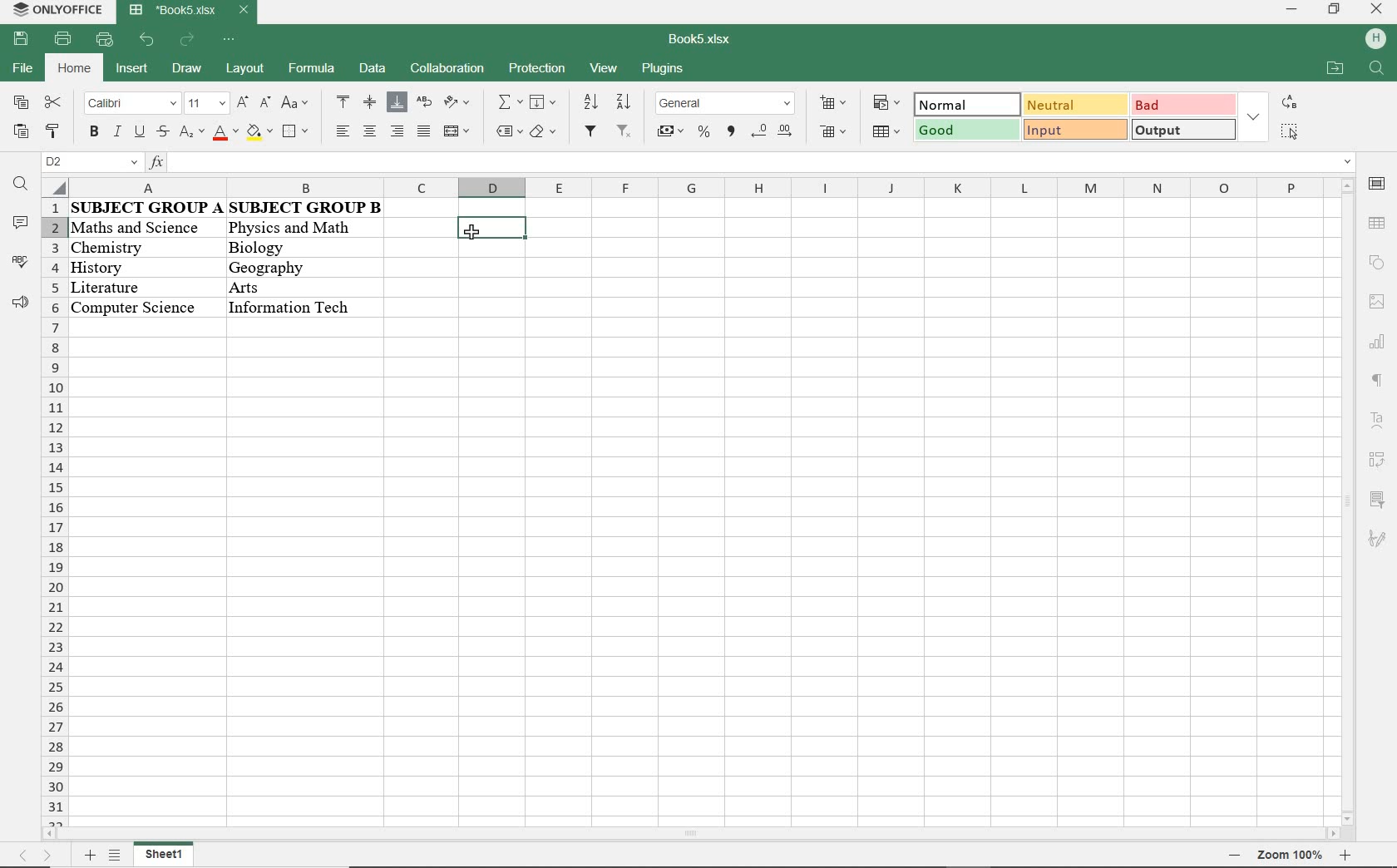 The image size is (1397, 868). What do you see at coordinates (670, 133) in the screenshot?
I see `accounting style` at bounding box center [670, 133].